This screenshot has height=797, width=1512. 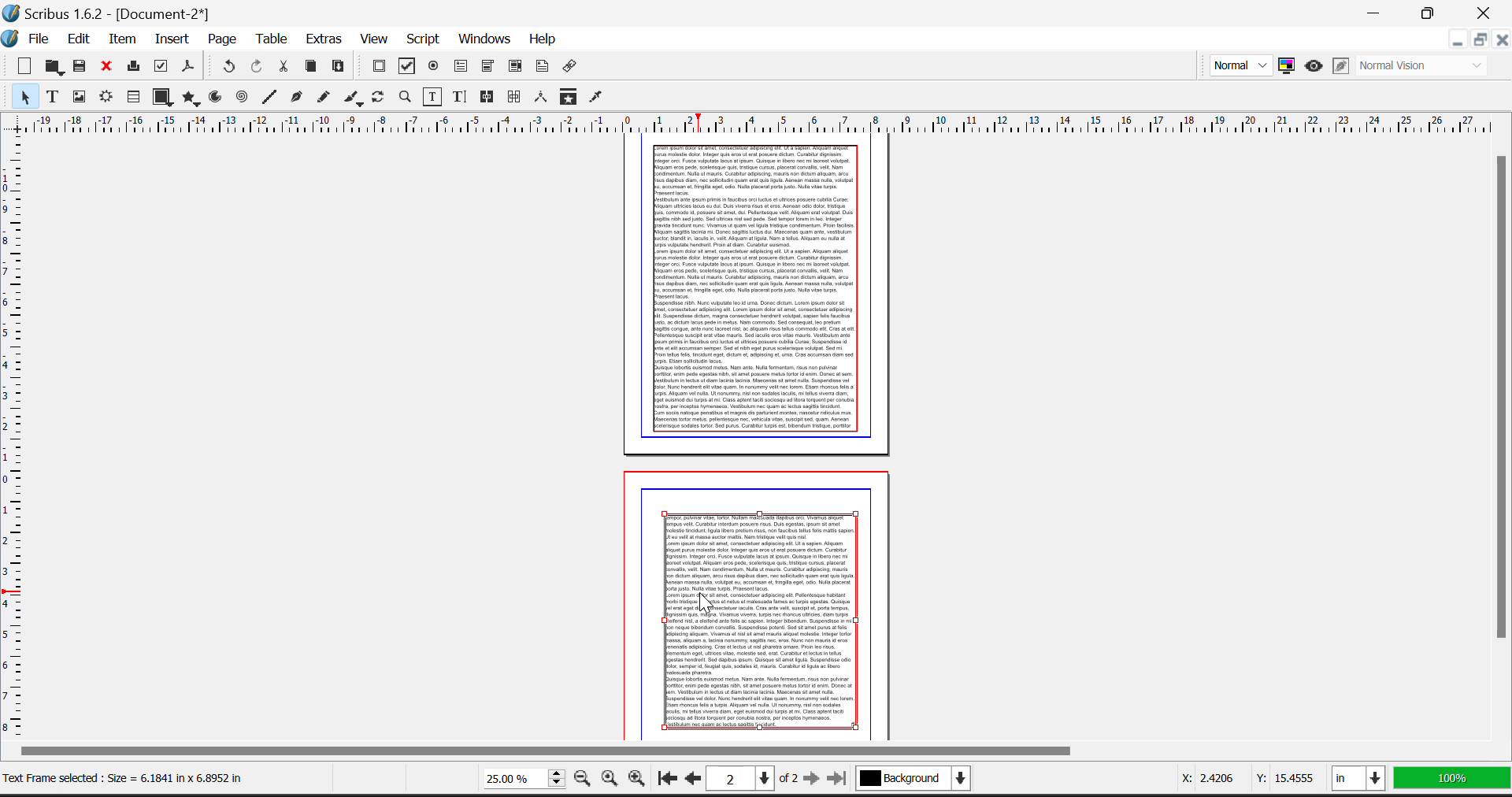 I want to click on Undo, so click(x=228, y=67).